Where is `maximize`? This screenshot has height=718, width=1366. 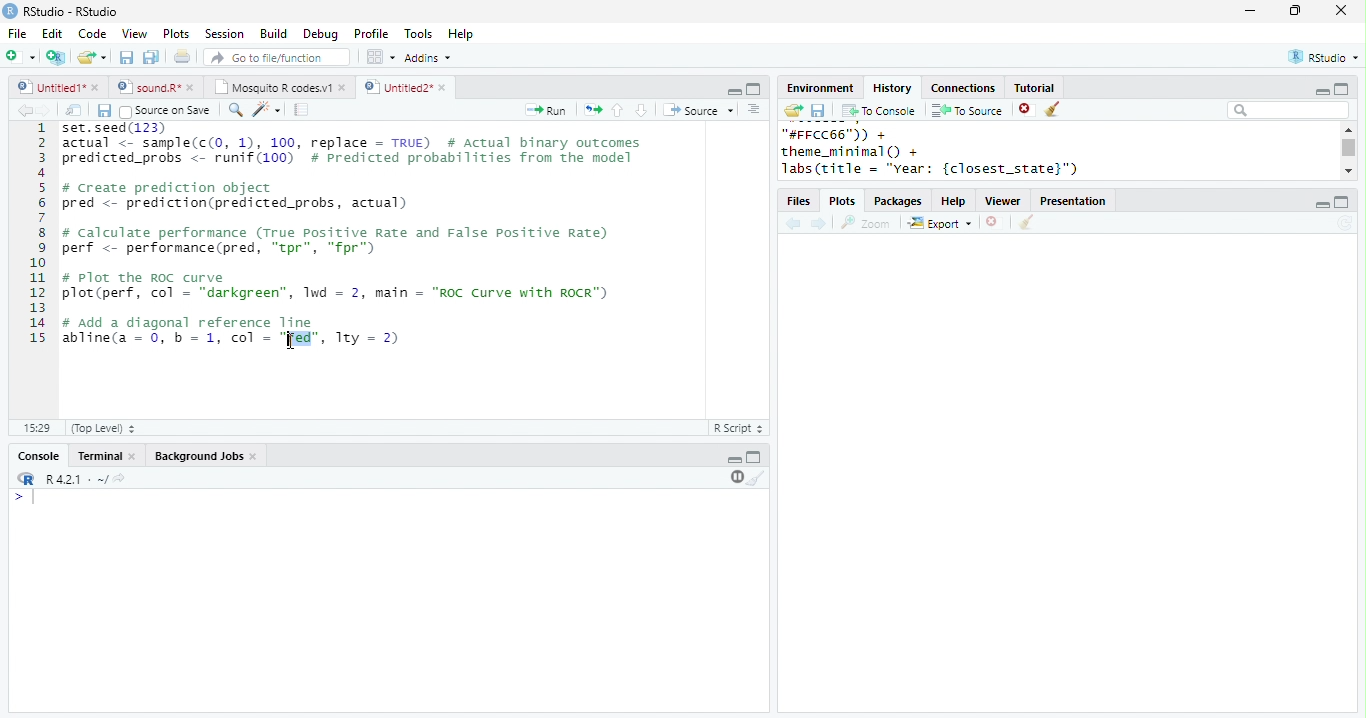
maximize is located at coordinates (1342, 202).